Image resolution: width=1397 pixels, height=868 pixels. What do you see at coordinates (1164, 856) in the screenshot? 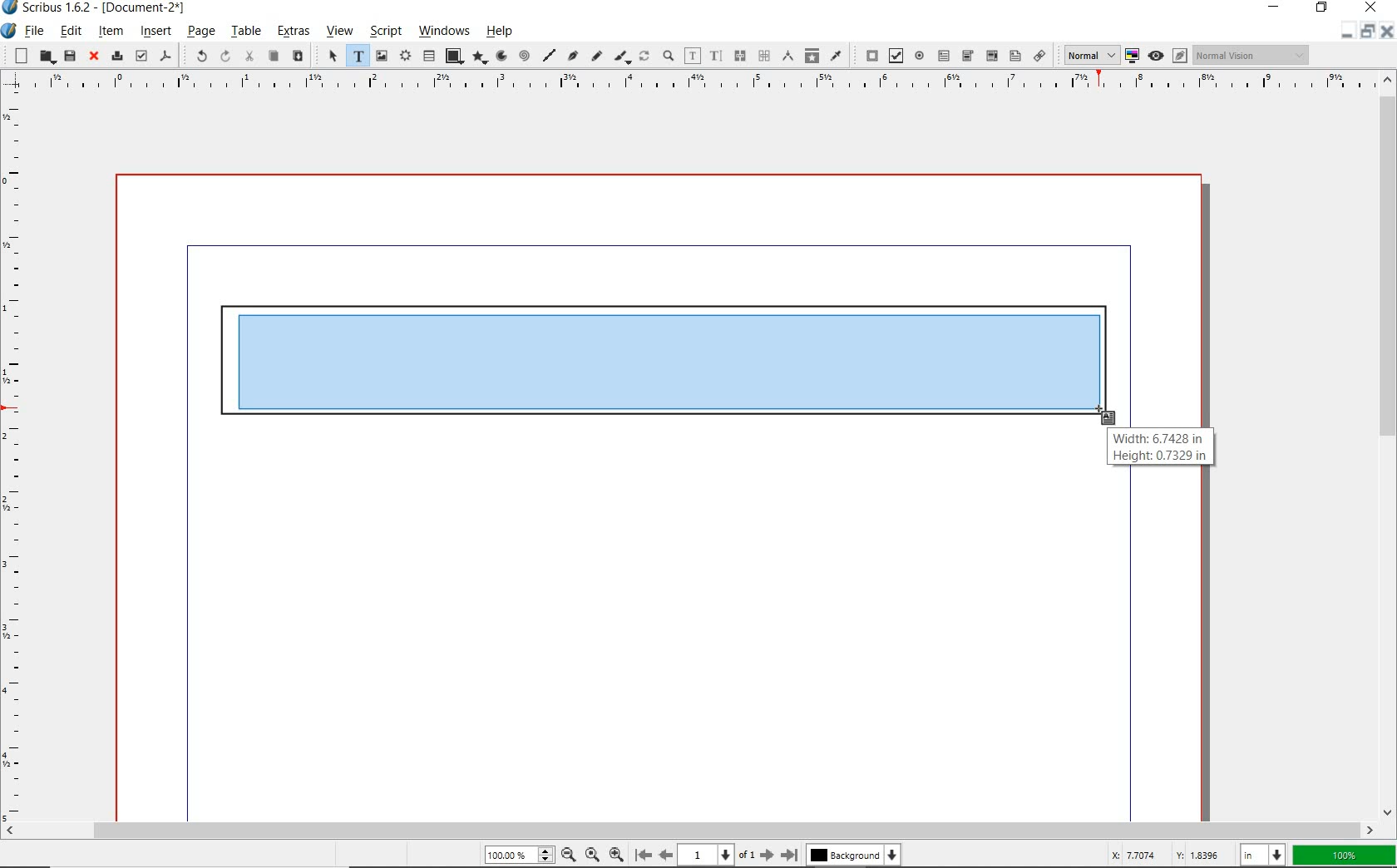
I see `coordinates` at bounding box center [1164, 856].